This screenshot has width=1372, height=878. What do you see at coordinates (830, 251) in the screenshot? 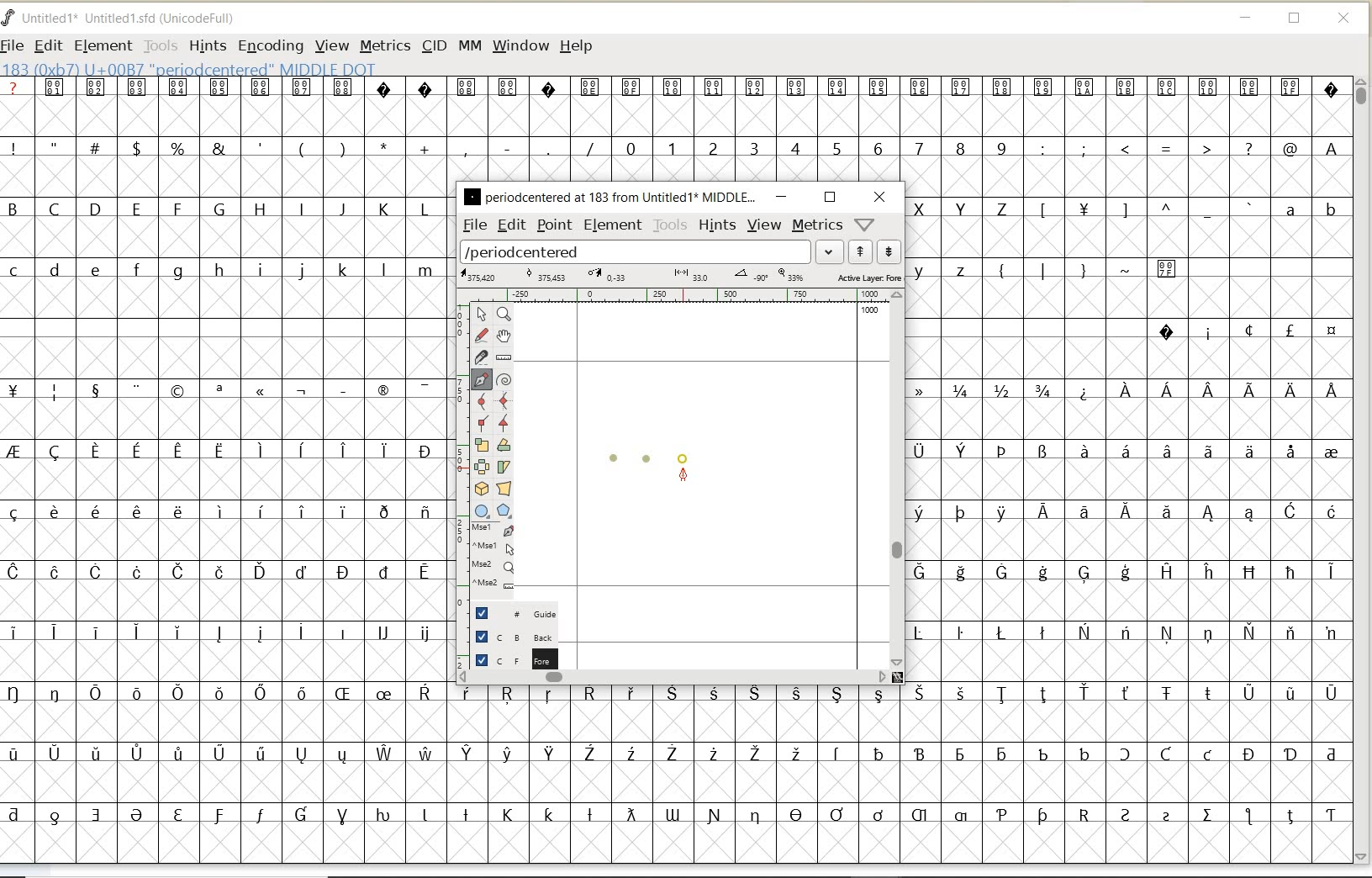
I see `expand` at bounding box center [830, 251].